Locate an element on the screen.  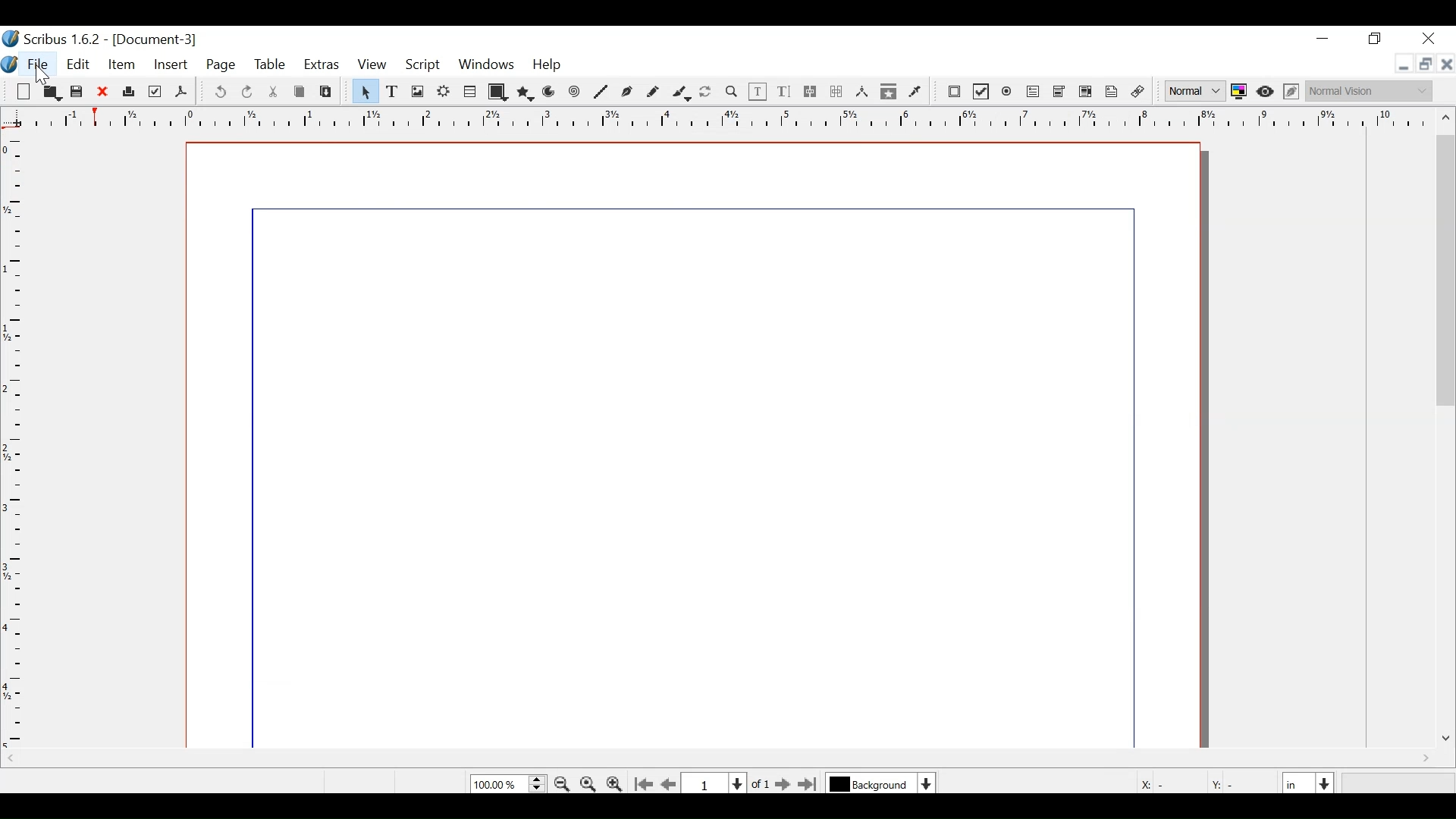
Render Frame is located at coordinates (444, 91).